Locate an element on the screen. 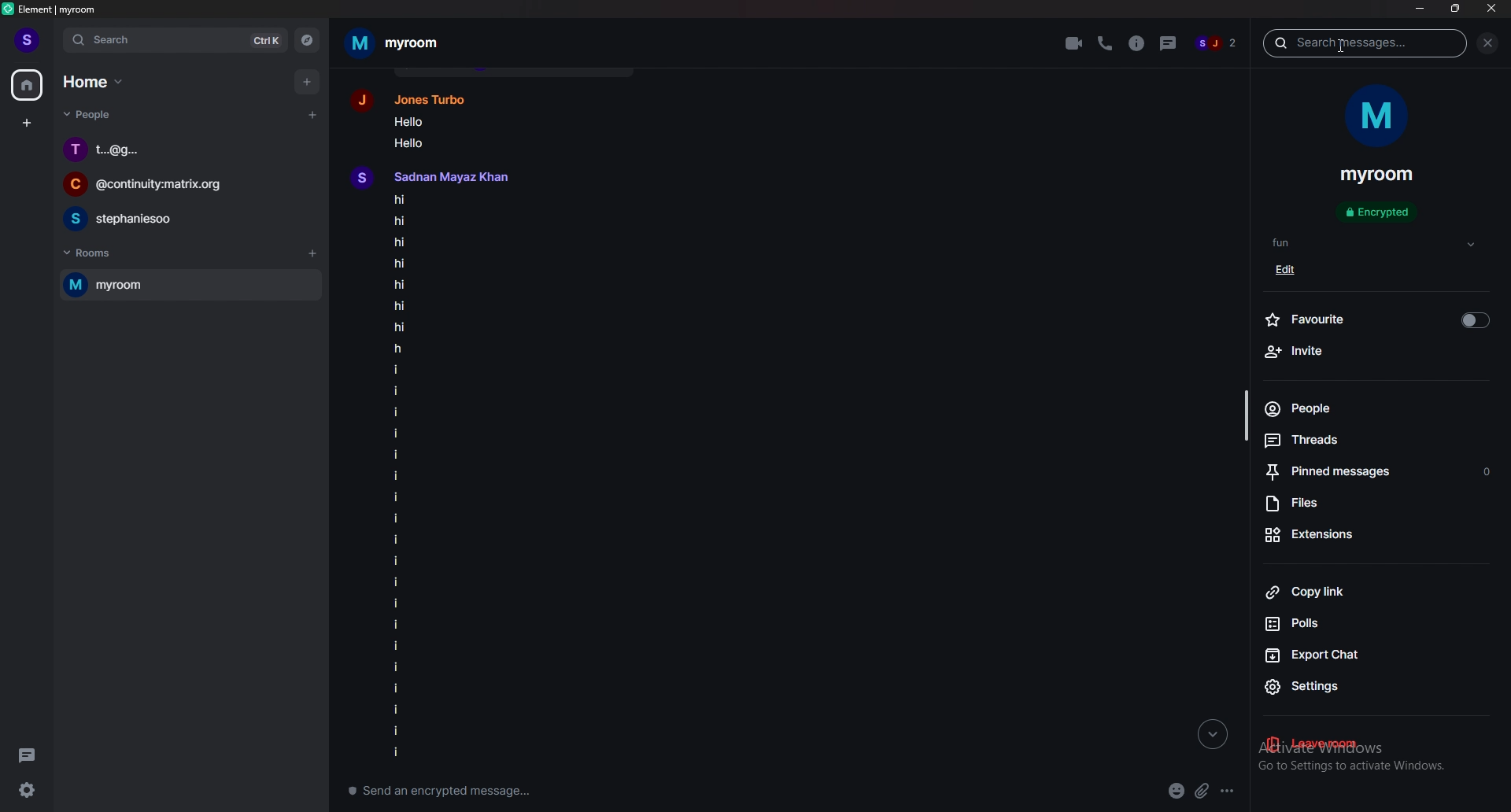 This screenshot has height=812, width=1511. compose message is located at coordinates (571, 789).